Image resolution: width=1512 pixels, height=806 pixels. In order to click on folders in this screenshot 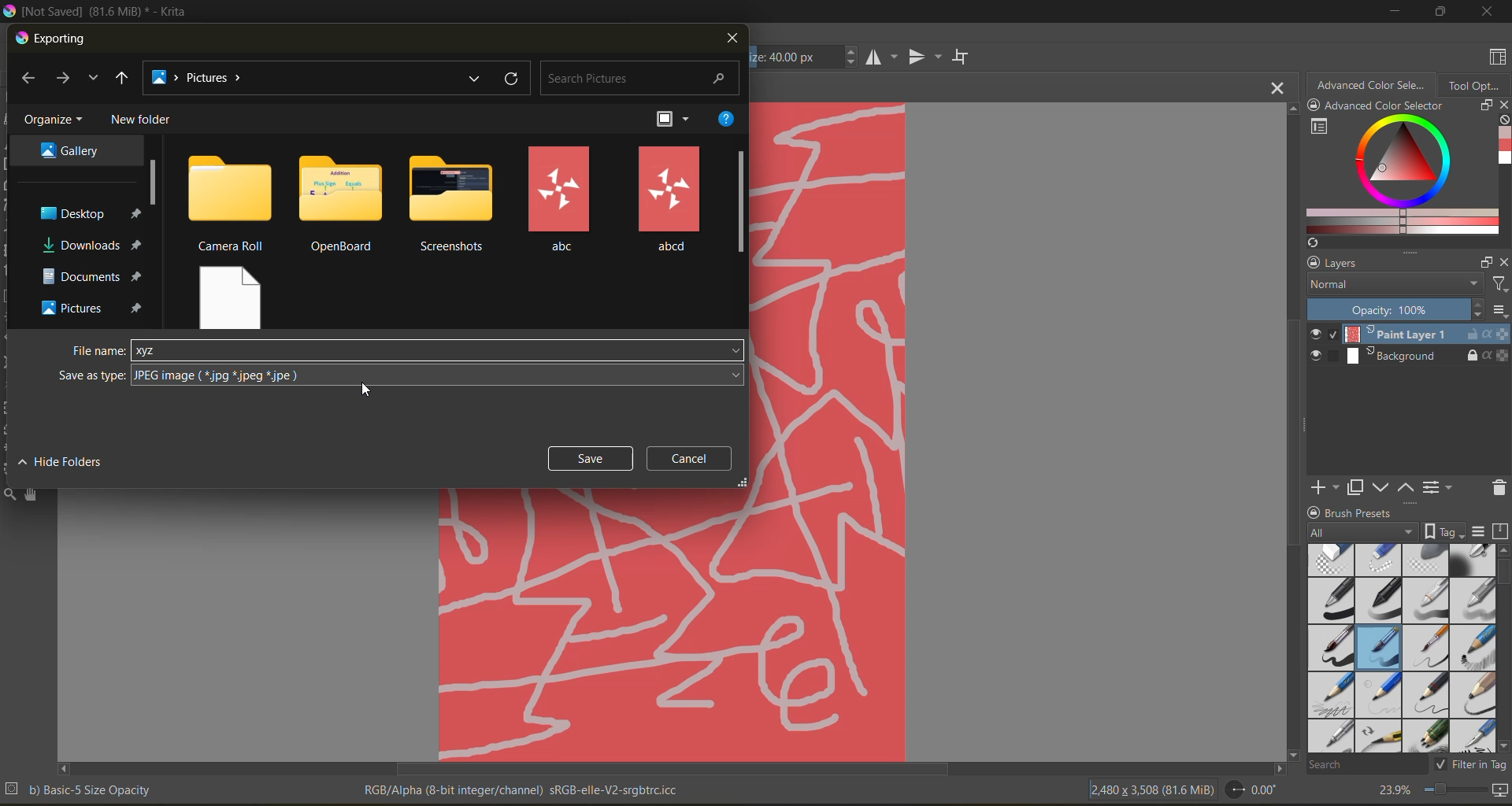, I will do `click(669, 199)`.